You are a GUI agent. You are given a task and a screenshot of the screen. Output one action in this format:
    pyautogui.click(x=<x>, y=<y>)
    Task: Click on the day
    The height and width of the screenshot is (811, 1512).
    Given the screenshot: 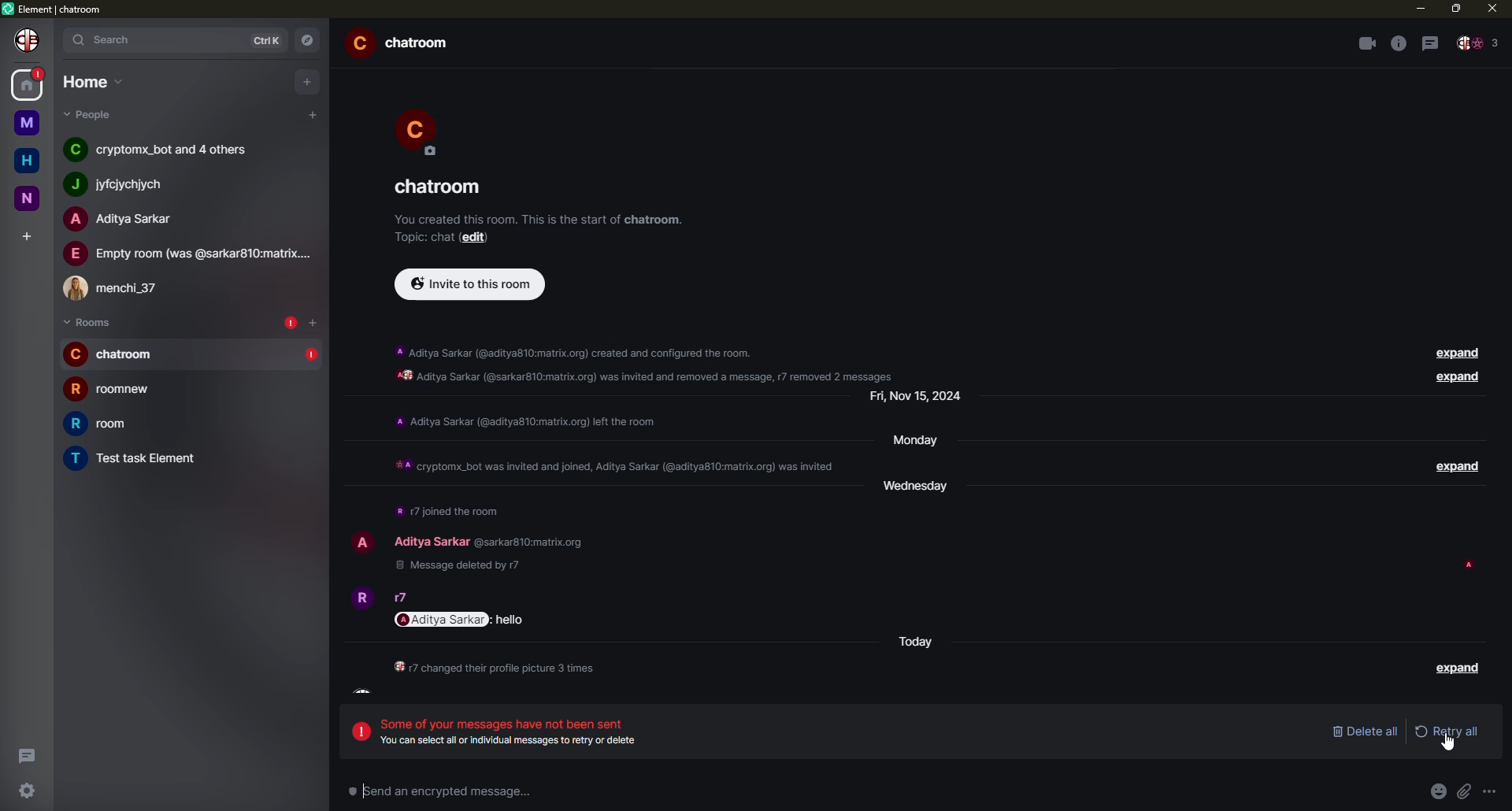 What is the action you would take?
    pyautogui.click(x=918, y=643)
    